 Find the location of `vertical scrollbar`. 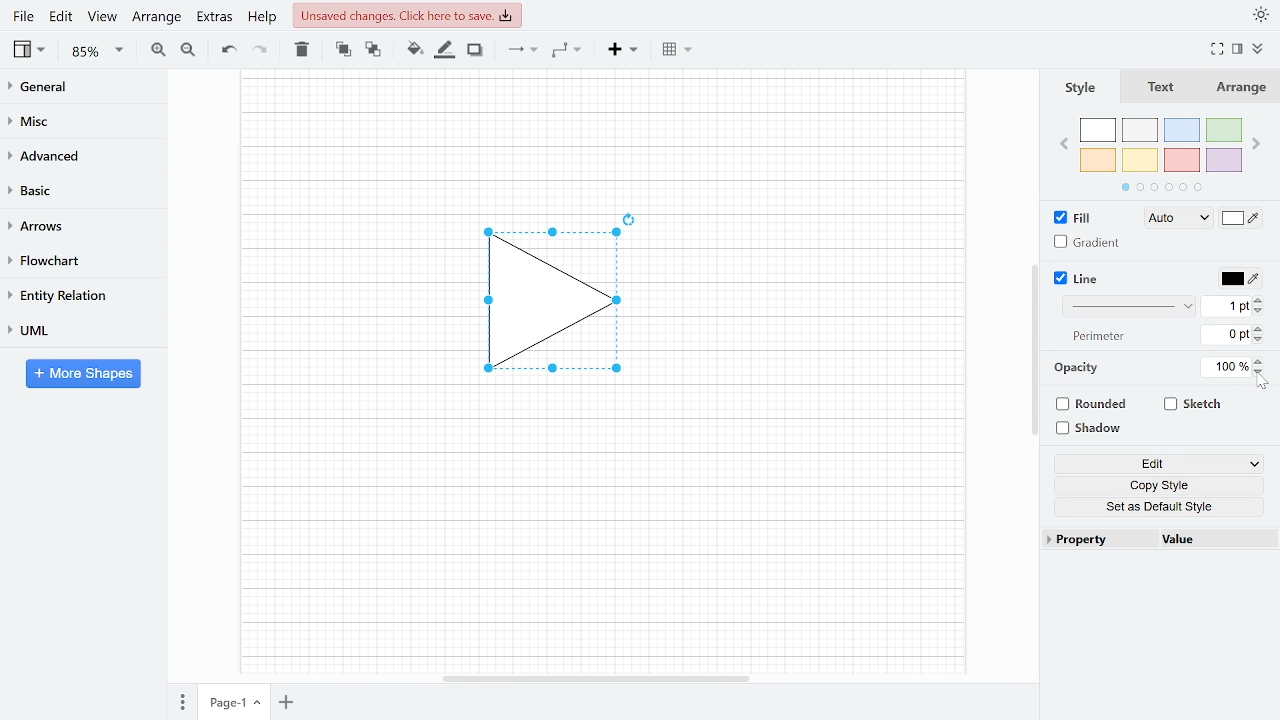

vertical scrollbar is located at coordinates (1034, 350).